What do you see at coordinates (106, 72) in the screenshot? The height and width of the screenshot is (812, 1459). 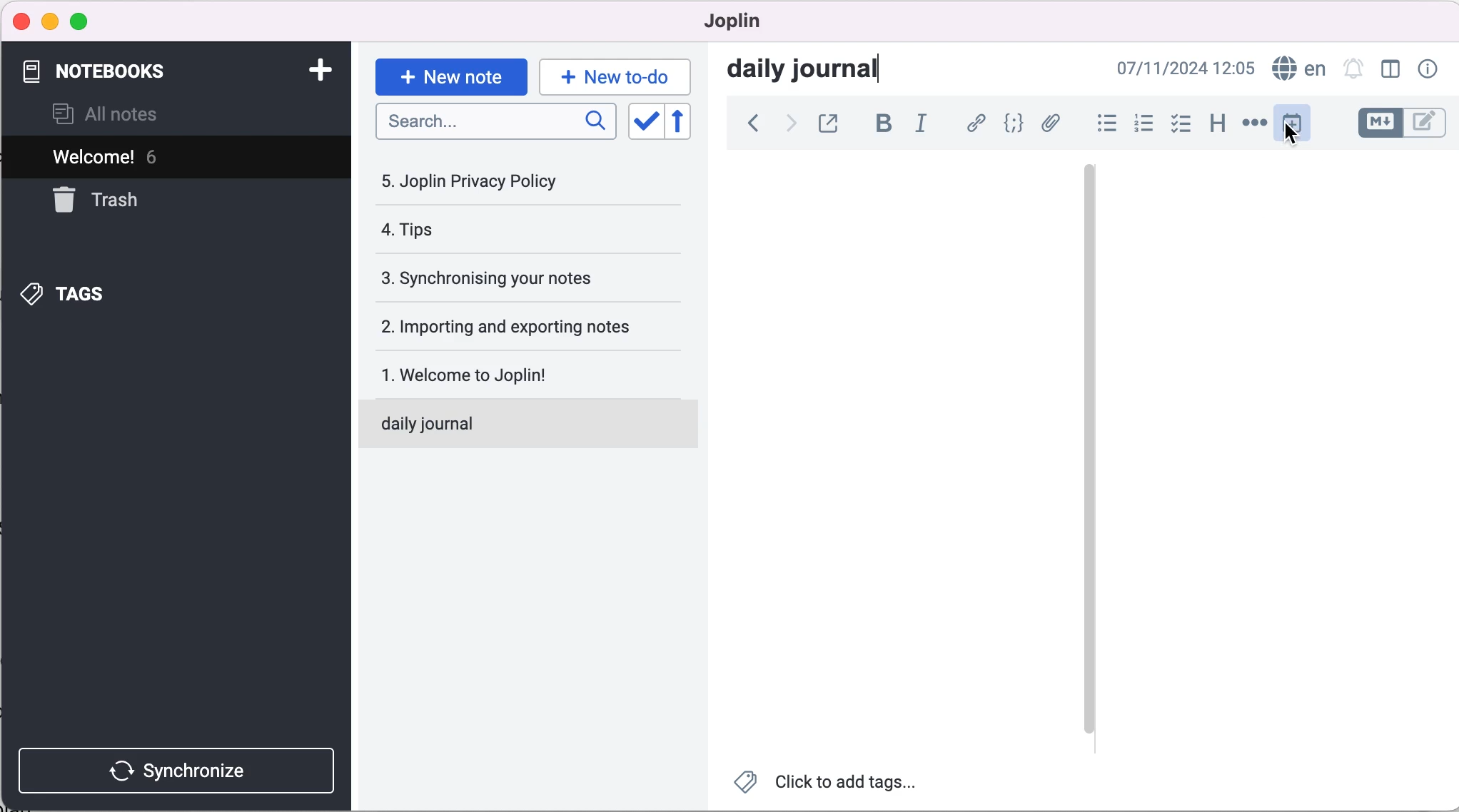 I see `notebooks` at bounding box center [106, 72].